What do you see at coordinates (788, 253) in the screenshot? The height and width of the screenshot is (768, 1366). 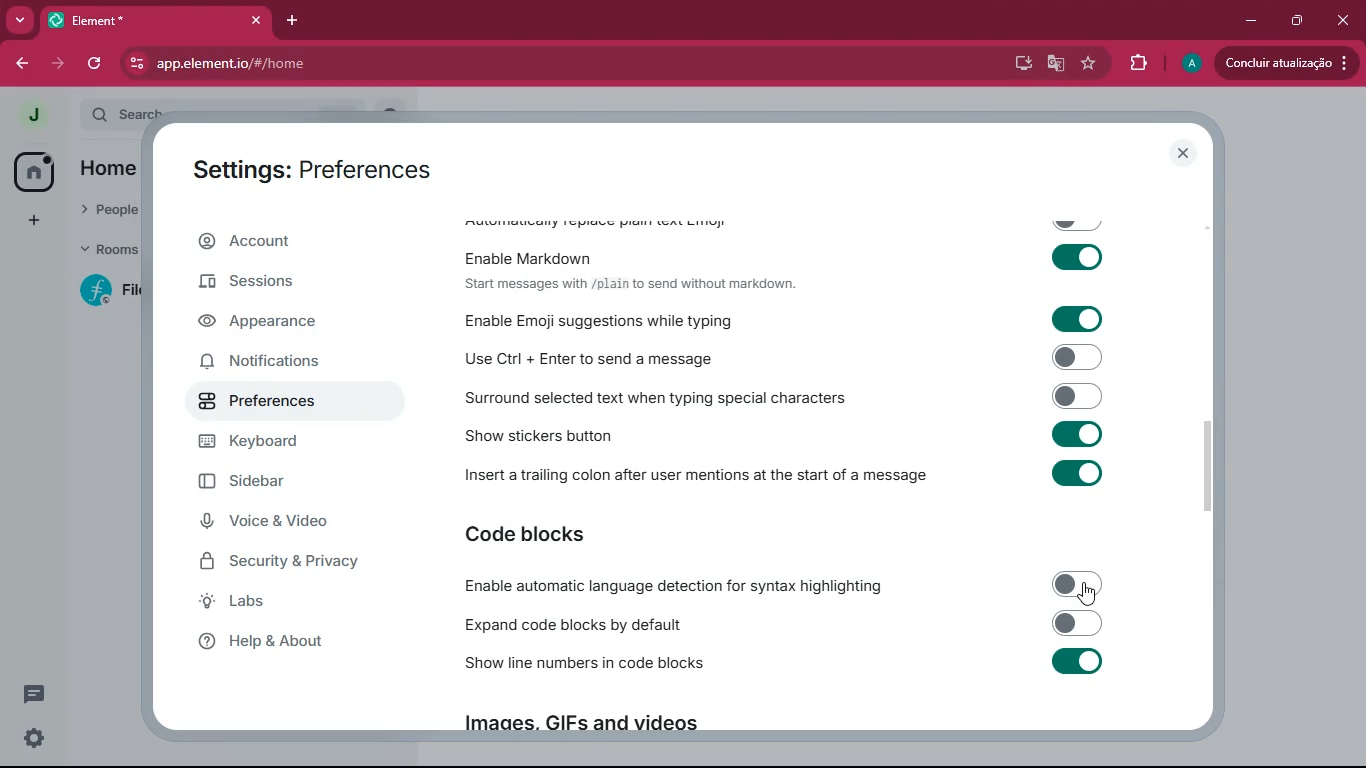 I see `Enable Markdown` at bounding box center [788, 253].